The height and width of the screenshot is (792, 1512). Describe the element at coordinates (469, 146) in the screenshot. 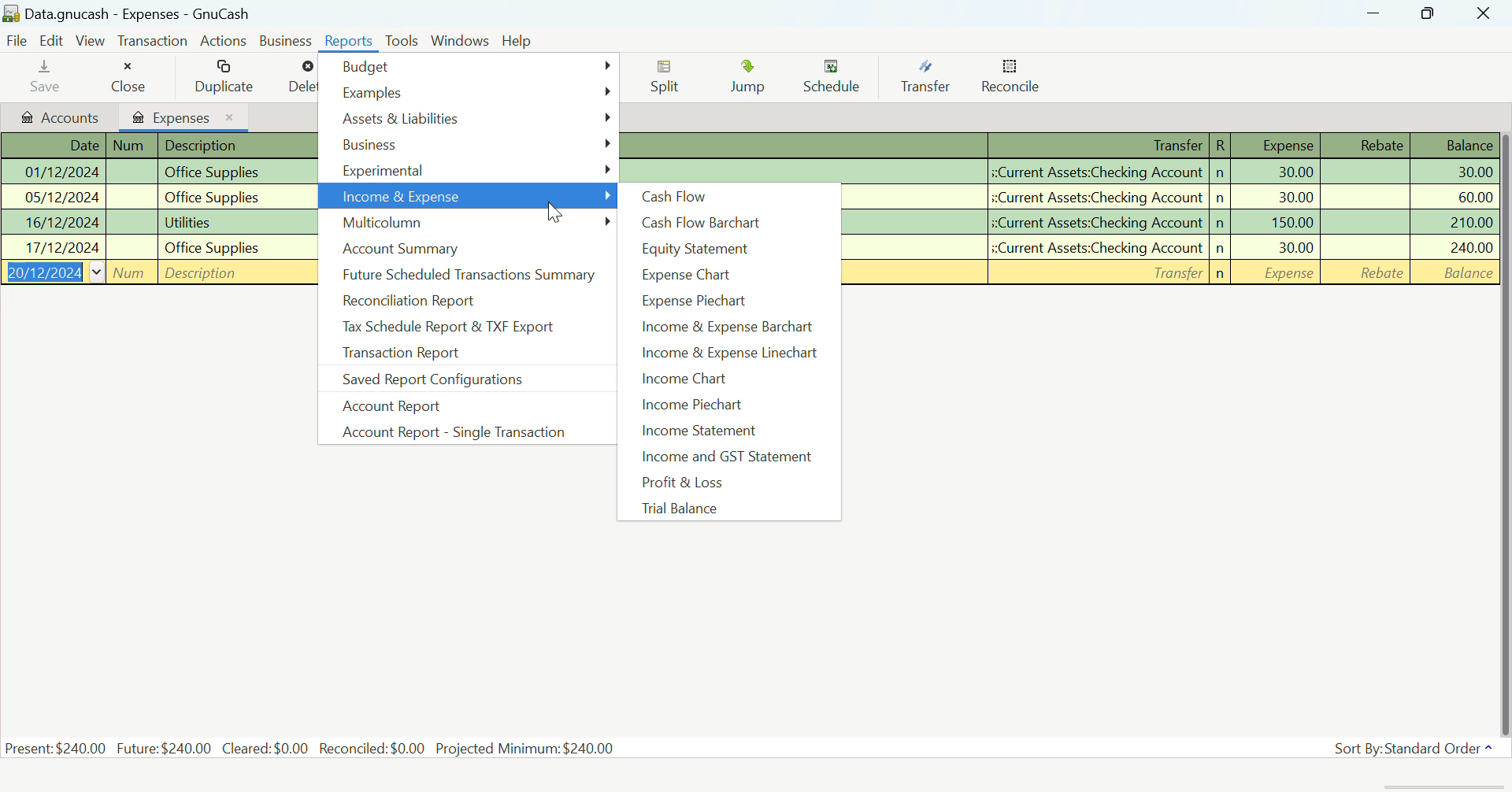

I see `Business` at that location.